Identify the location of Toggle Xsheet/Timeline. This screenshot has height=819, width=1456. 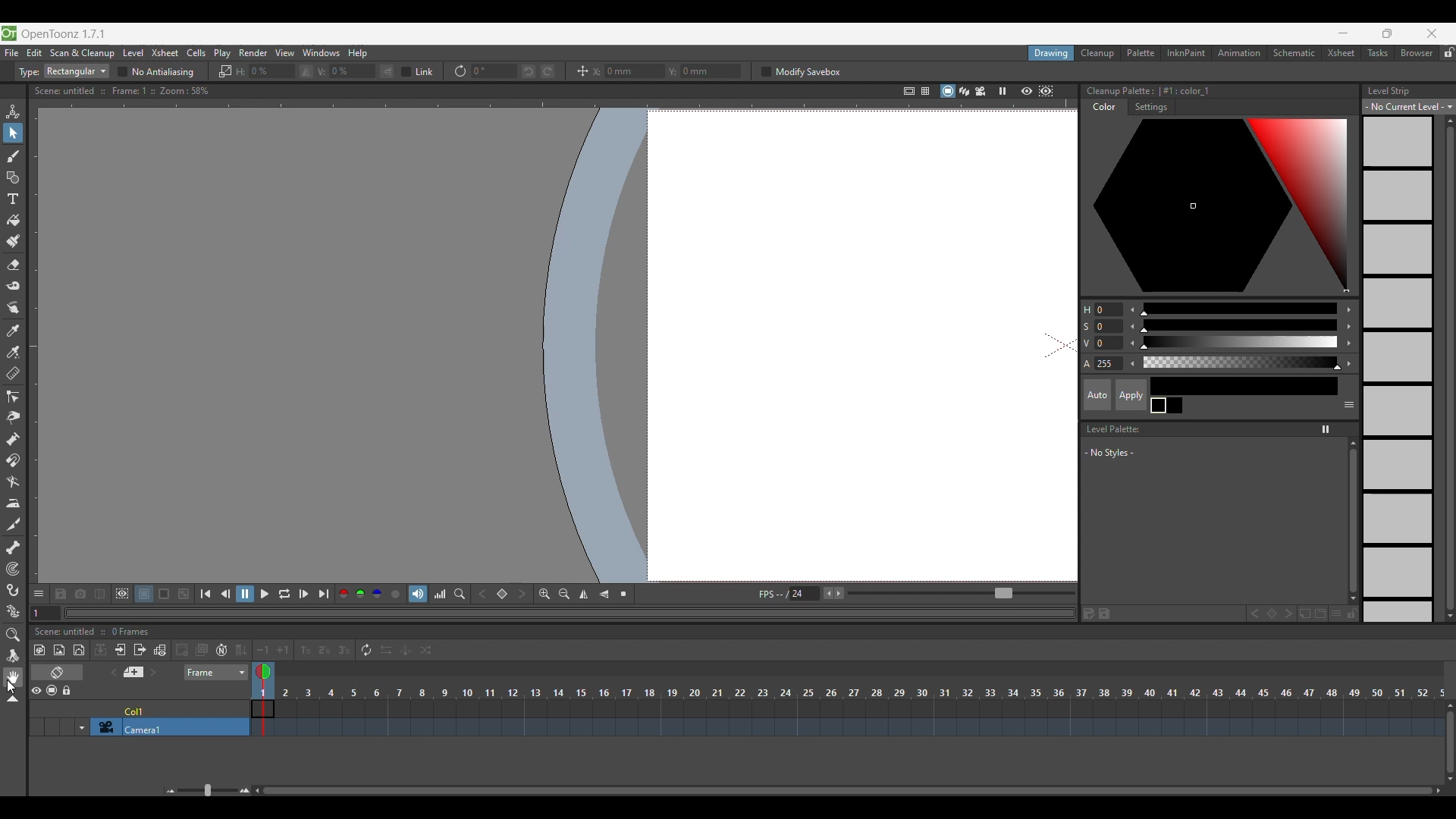
(57, 673).